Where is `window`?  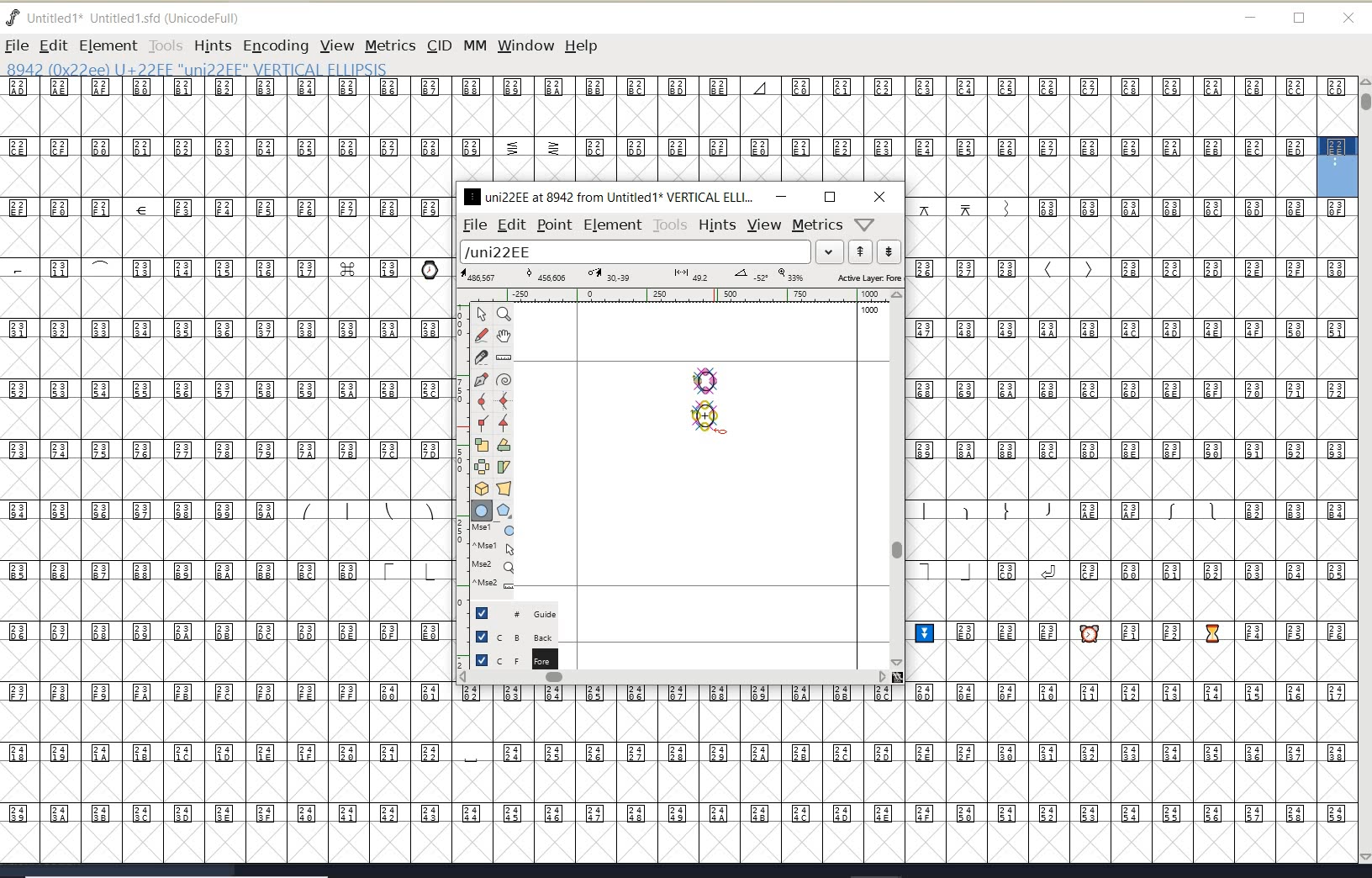
window is located at coordinates (525, 45).